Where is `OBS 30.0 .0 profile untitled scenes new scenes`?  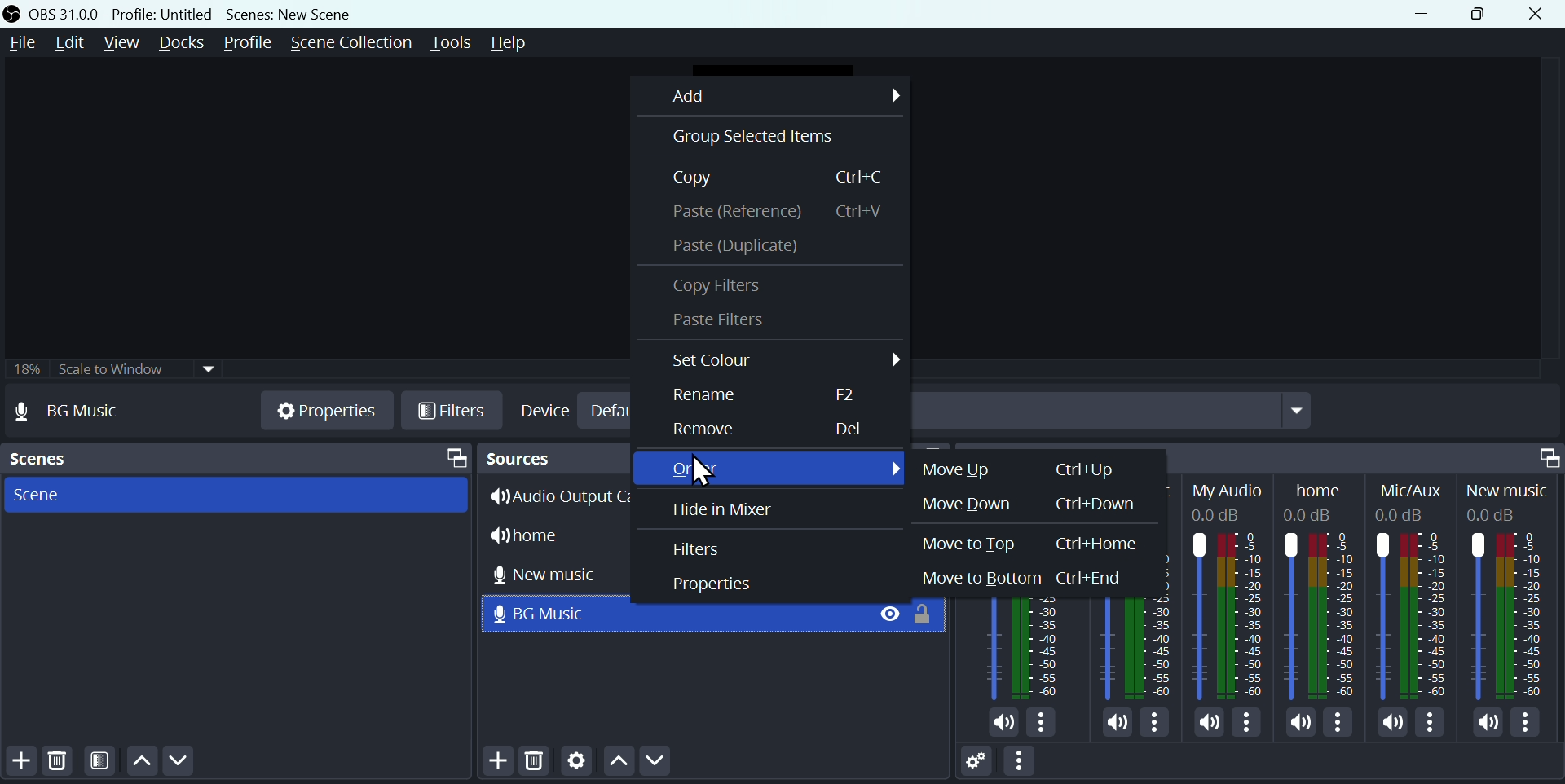 OBS 30.0 .0 profile untitled scenes new scenes is located at coordinates (209, 12).